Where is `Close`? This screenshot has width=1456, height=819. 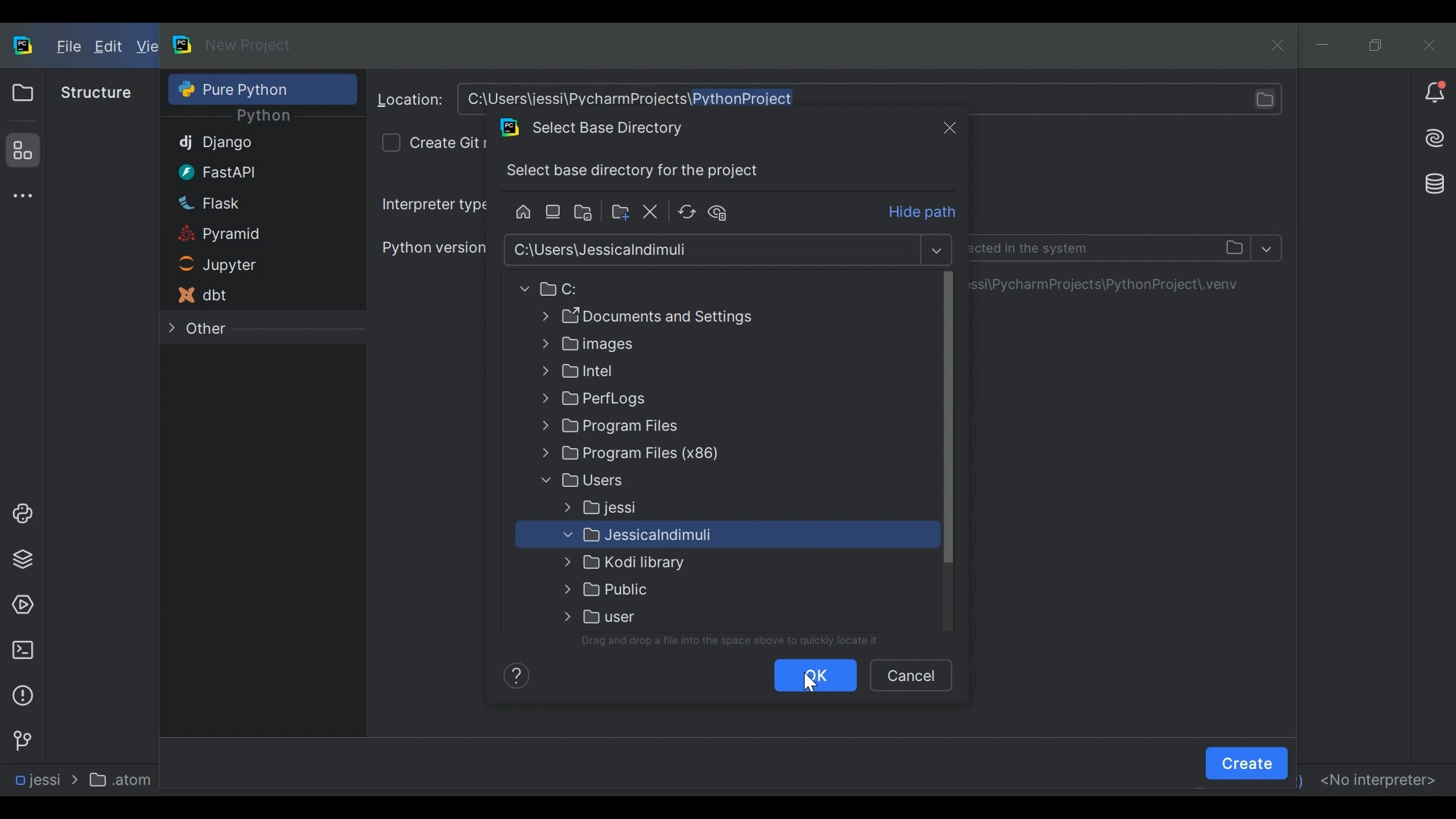 Close is located at coordinates (1429, 44).